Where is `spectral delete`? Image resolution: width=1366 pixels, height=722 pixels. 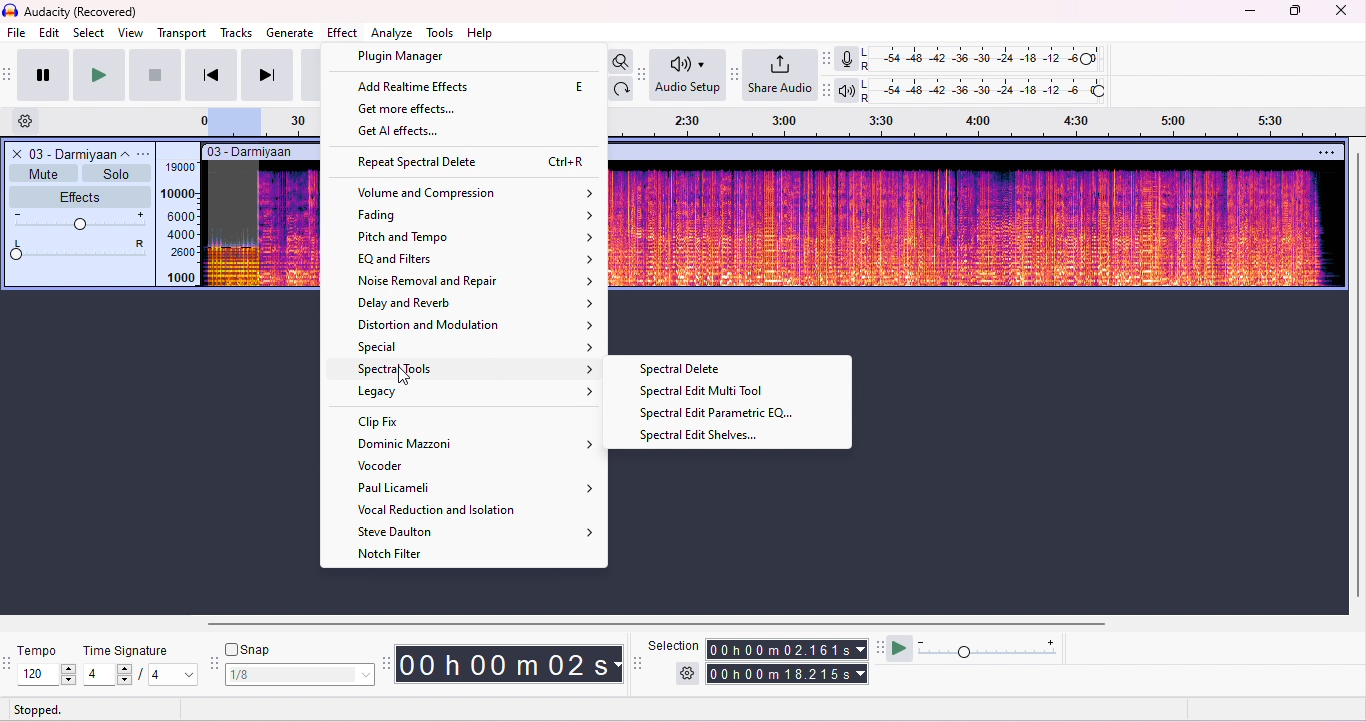 spectral delete is located at coordinates (686, 370).